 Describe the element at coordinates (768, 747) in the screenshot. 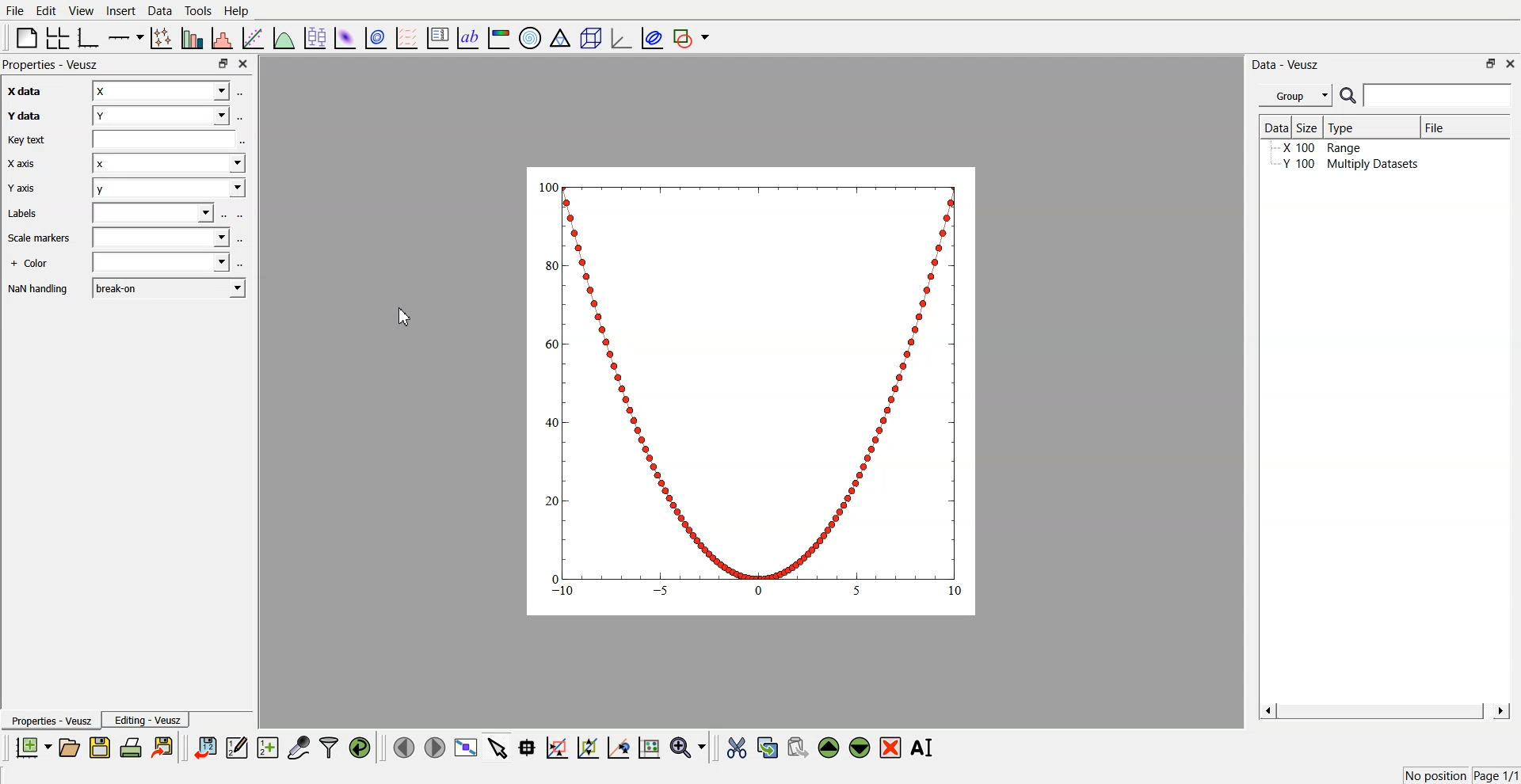

I see `copy the selected widgets` at that location.